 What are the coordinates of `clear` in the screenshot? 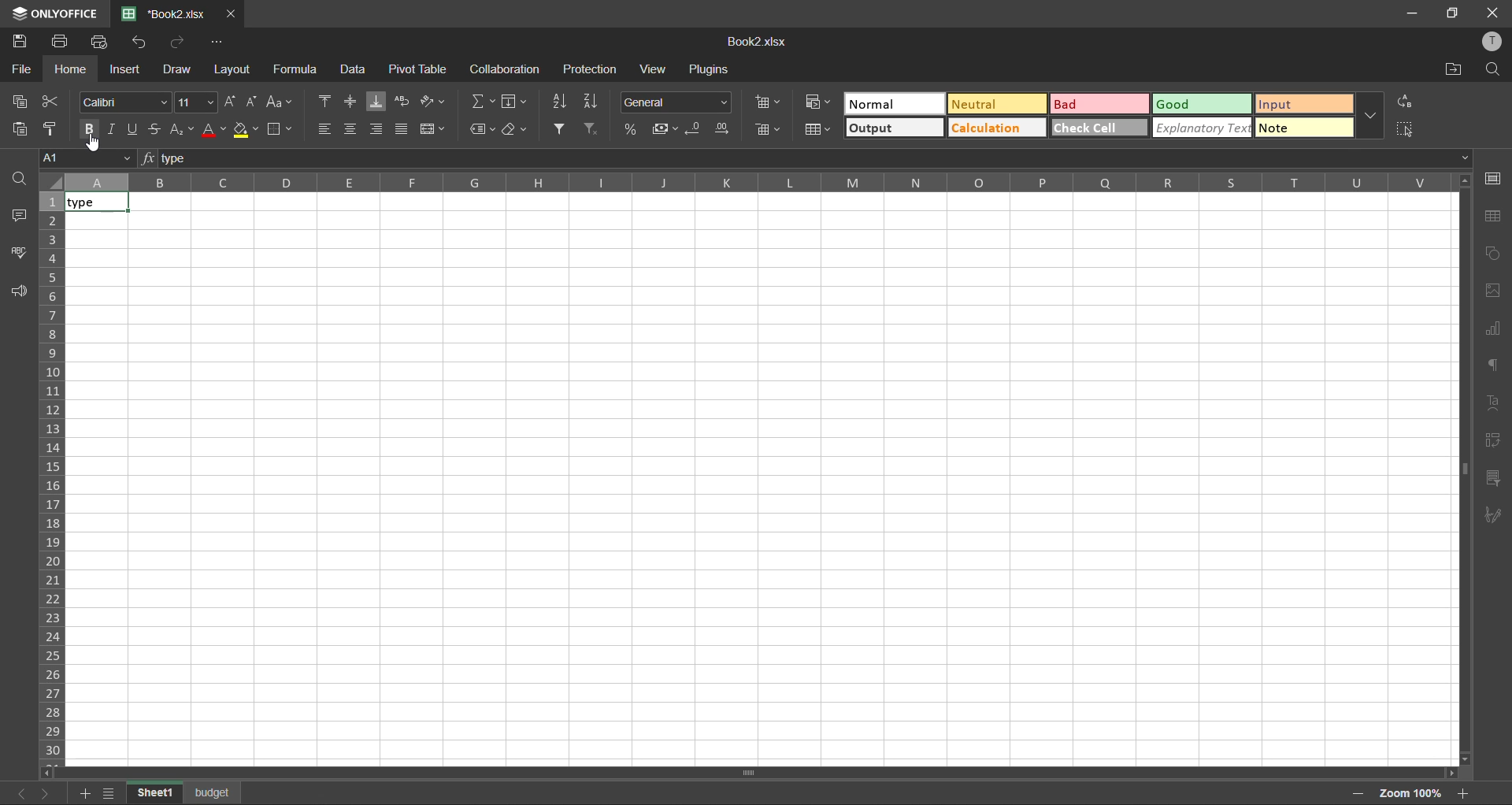 It's located at (515, 130).